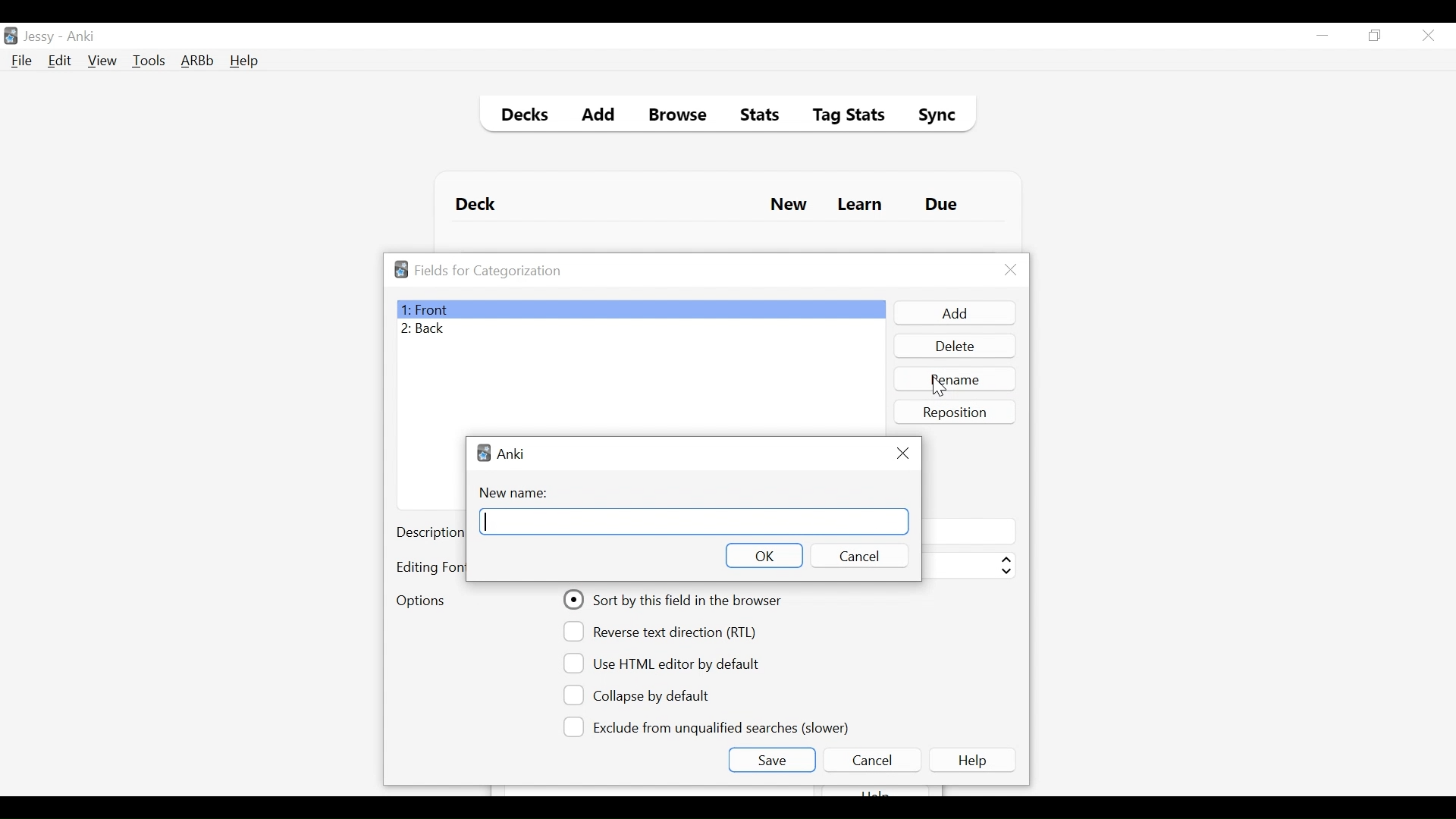  What do you see at coordinates (695, 521) in the screenshot?
I see `New Name Field` at bounding box center [695, 521].